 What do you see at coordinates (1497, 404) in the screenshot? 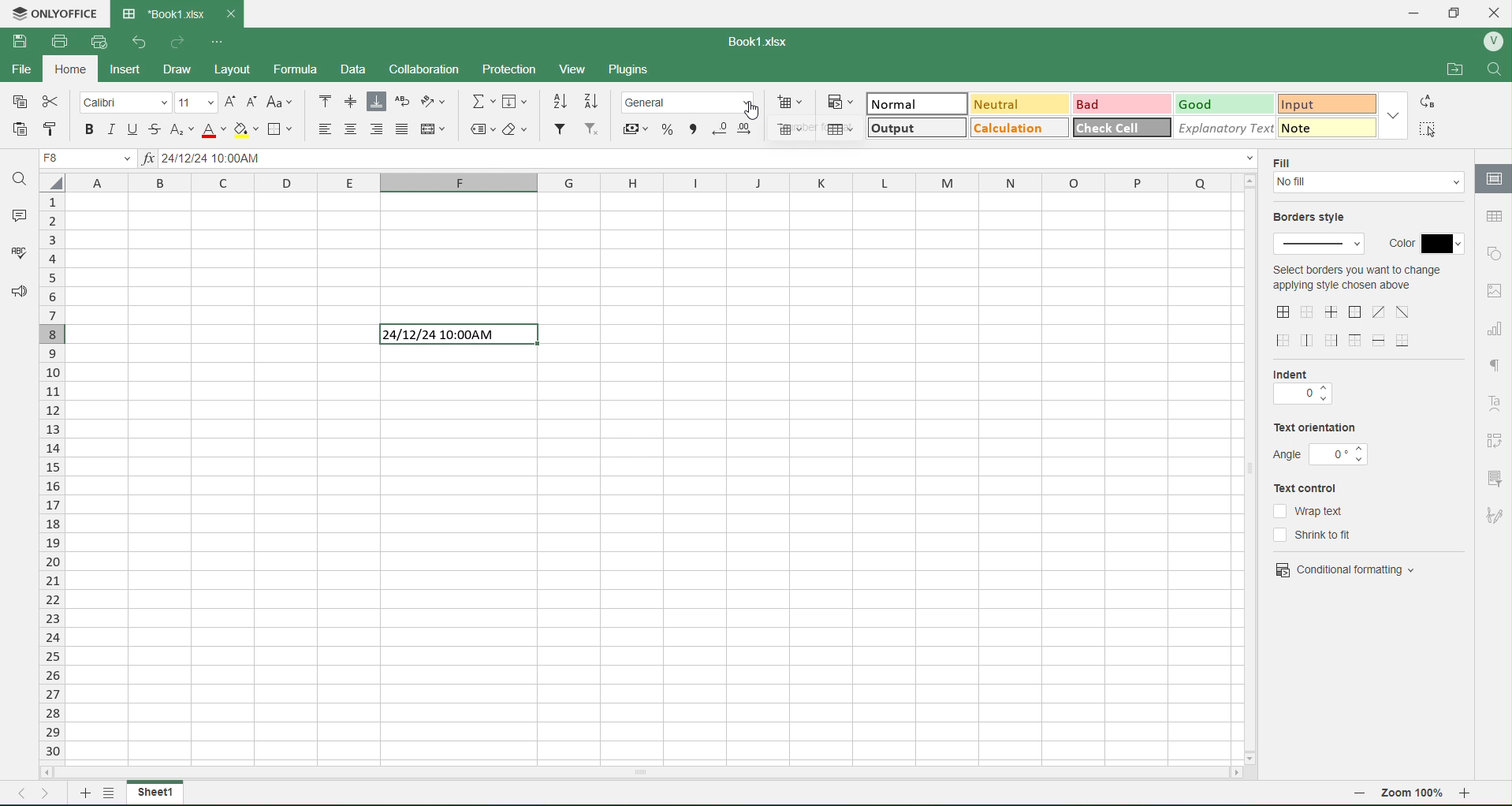
I see `text style` at bounding box center [1497, 404].